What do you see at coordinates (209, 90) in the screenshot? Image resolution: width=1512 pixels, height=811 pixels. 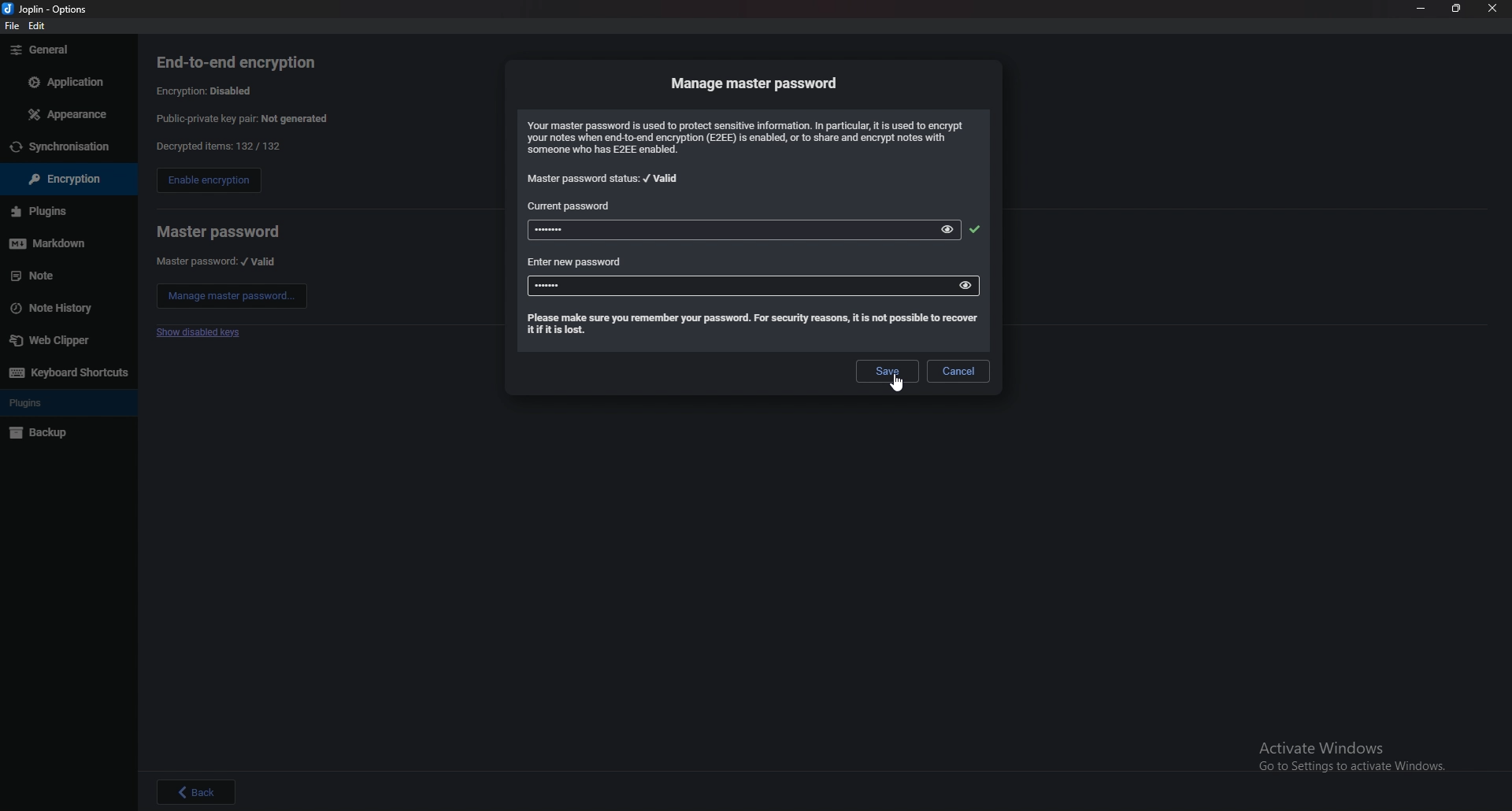 I see `encryption` at bounding box center [209, 90].